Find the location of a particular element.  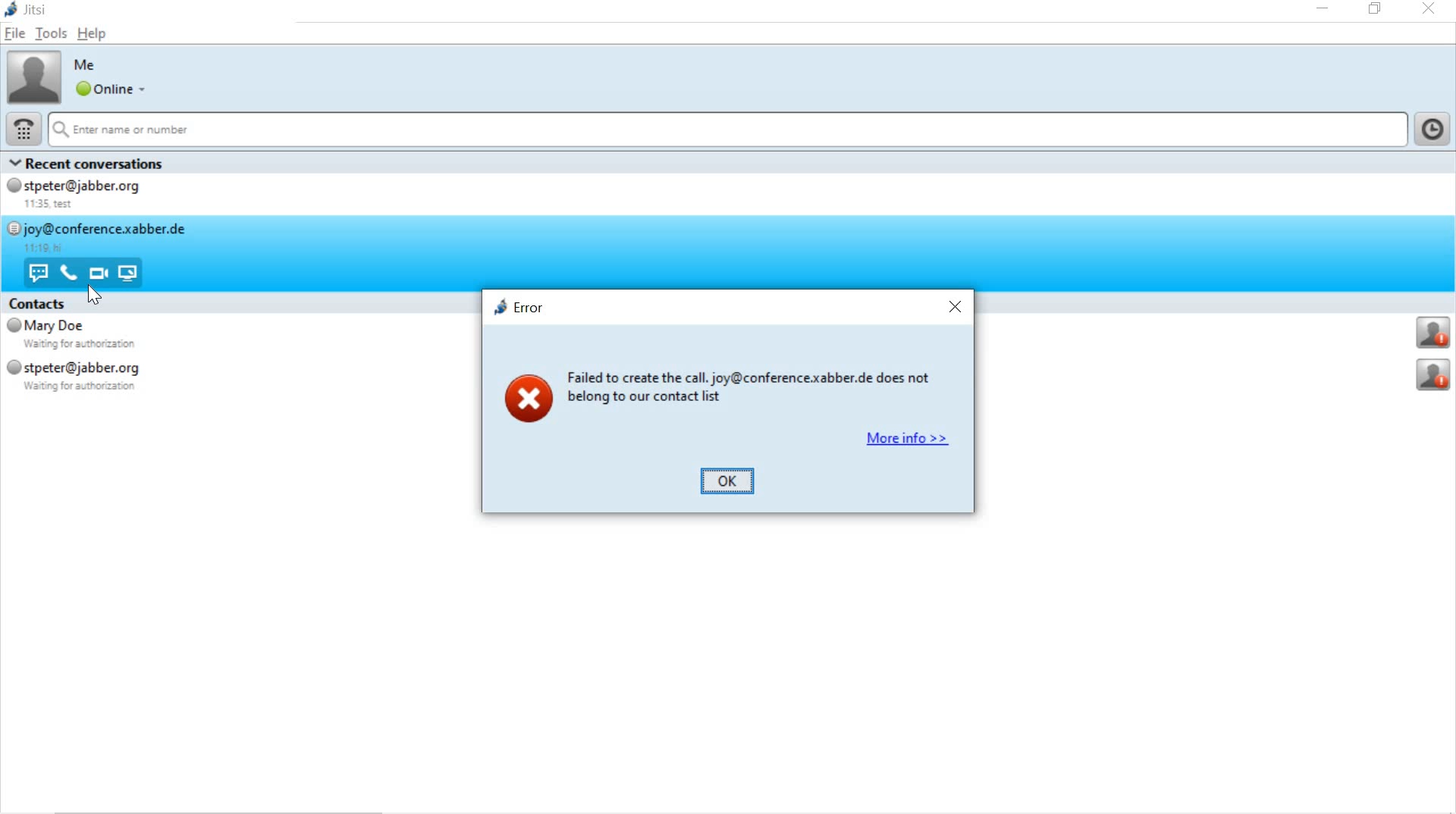

cursor is located at coordinates (95, 296).